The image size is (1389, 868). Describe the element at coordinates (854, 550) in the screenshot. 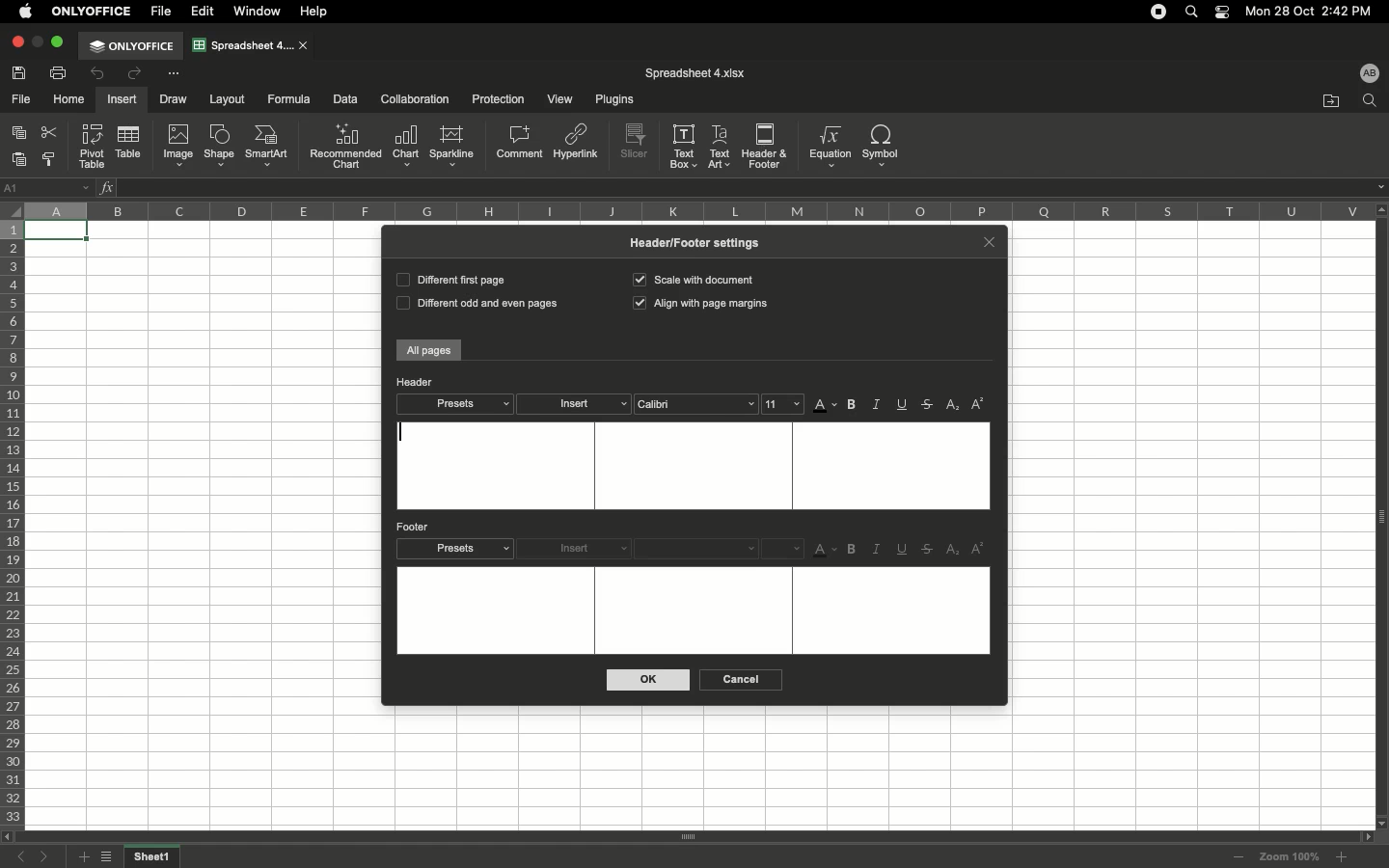

I see `Bold` at that location.